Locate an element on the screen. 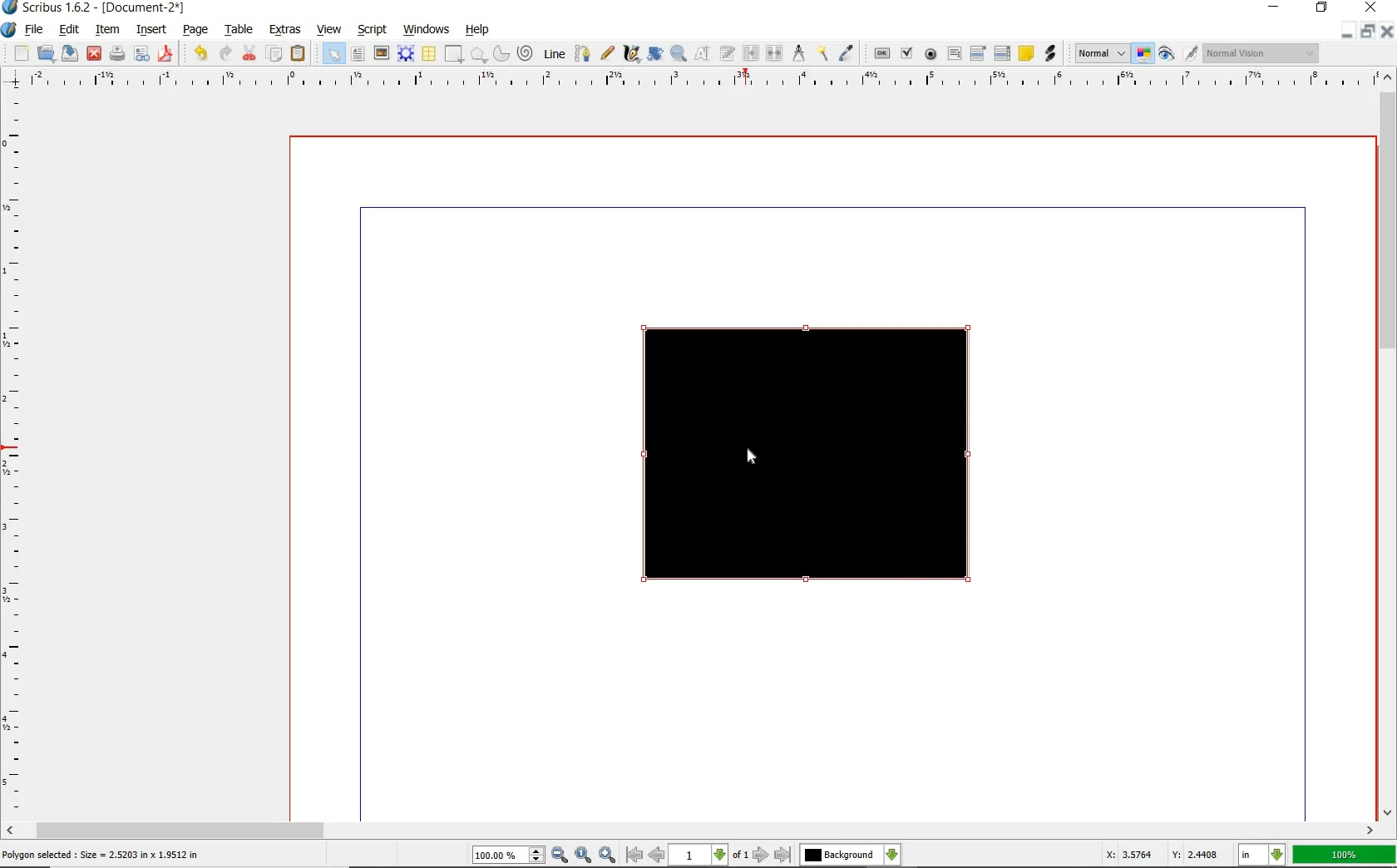 The width and height of the screenshot is (1397, 868). measurement is located at coordinates (801, 55).